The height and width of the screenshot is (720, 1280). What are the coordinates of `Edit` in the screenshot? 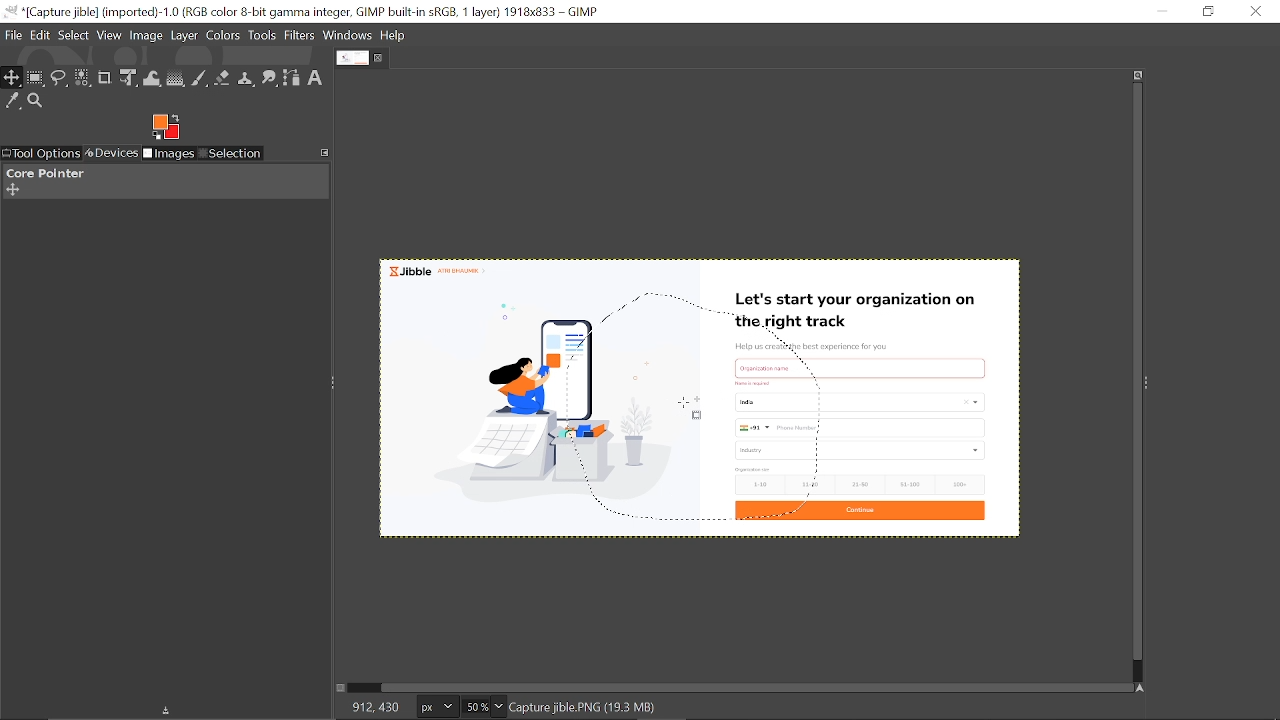 It's located at (41, 37).